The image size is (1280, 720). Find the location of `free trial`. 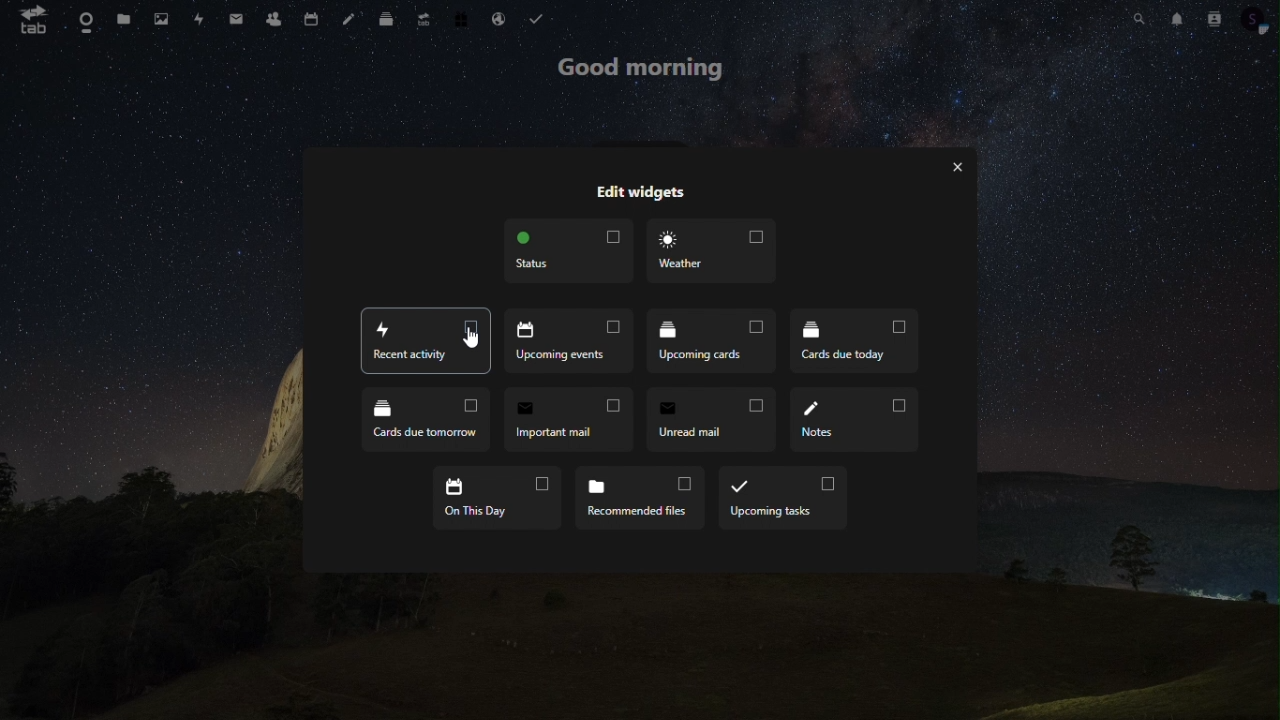

free trial is located at coordinates (463, 17).